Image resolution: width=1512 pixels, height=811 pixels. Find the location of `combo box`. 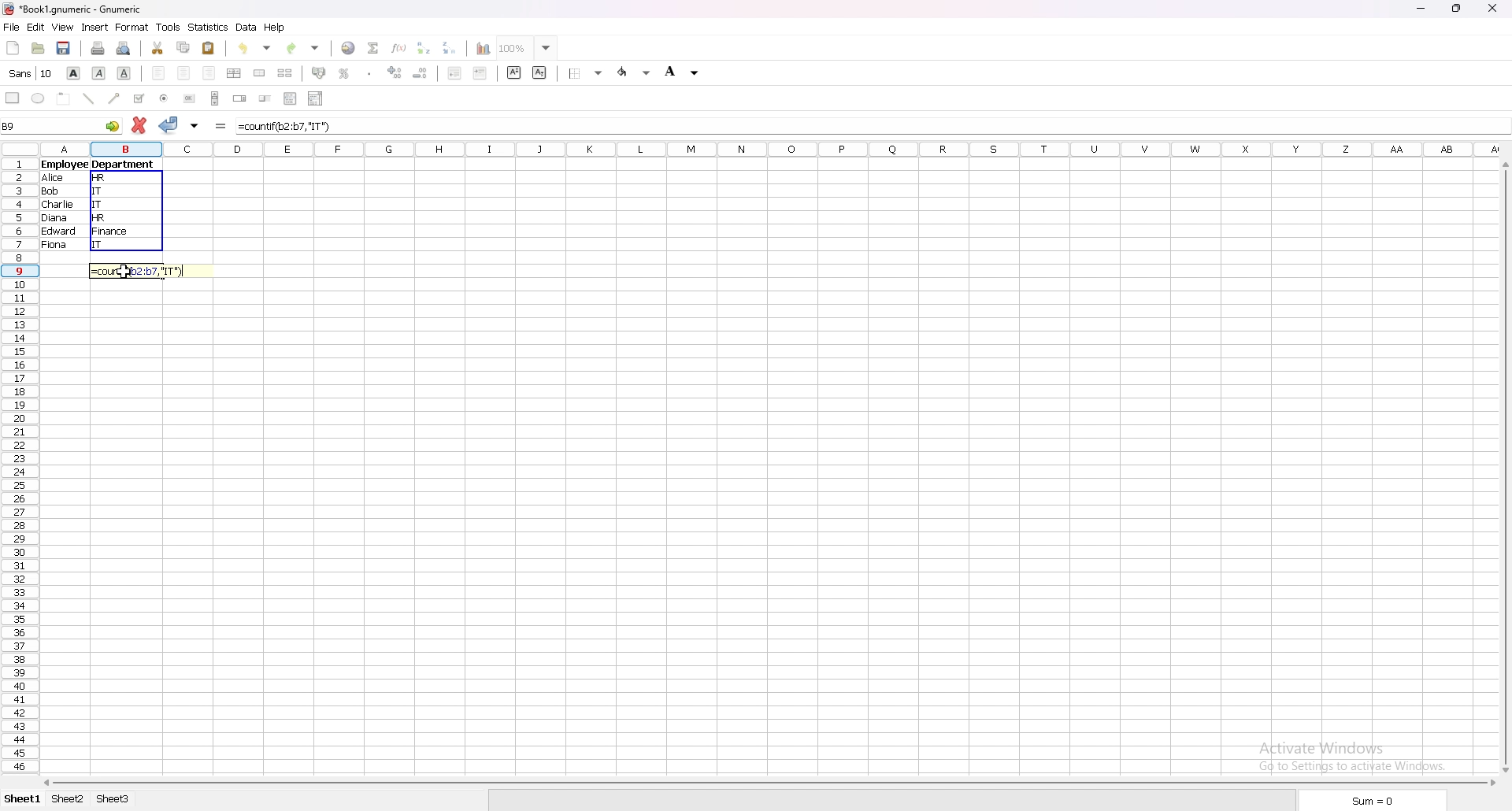

combo box is located at coordinates (316, 98).